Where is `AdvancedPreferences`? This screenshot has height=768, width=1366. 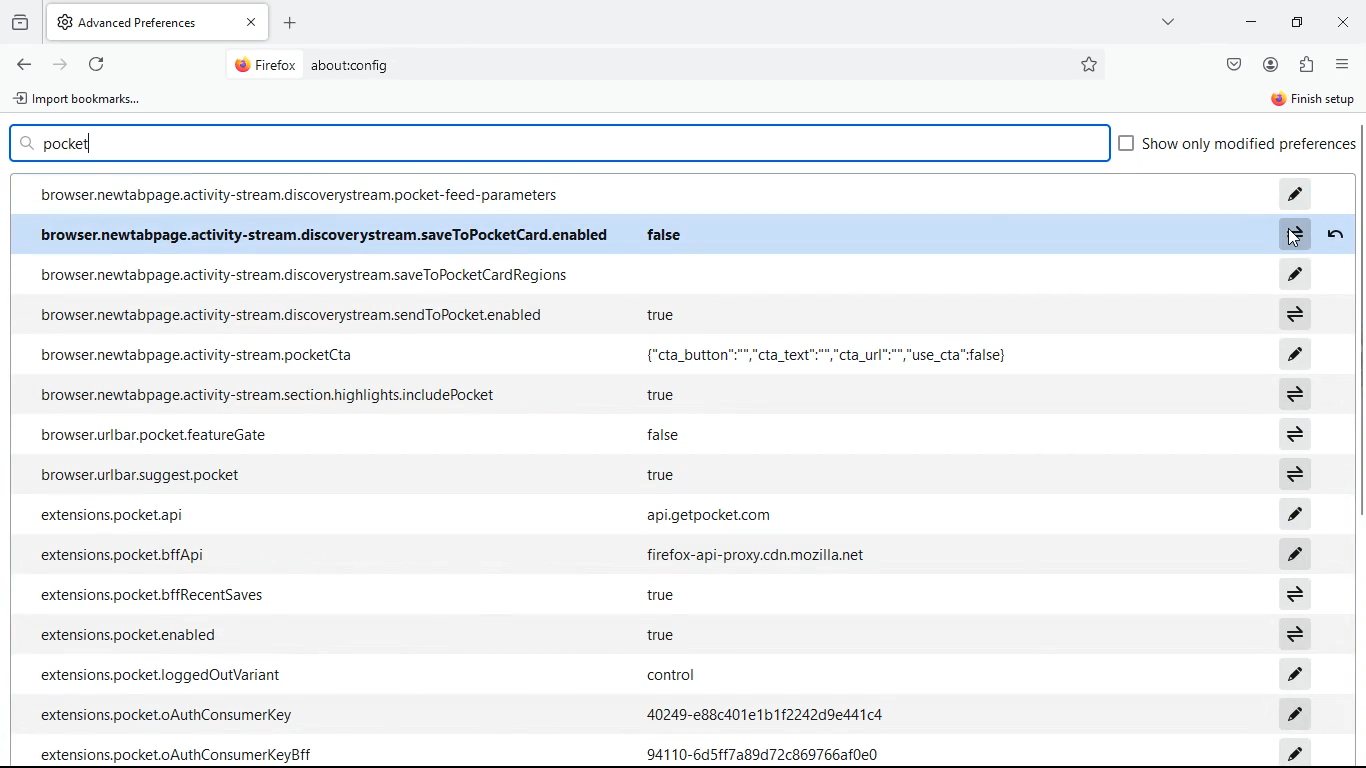 AdvancedPreferences is located at coordinates (159, 23).